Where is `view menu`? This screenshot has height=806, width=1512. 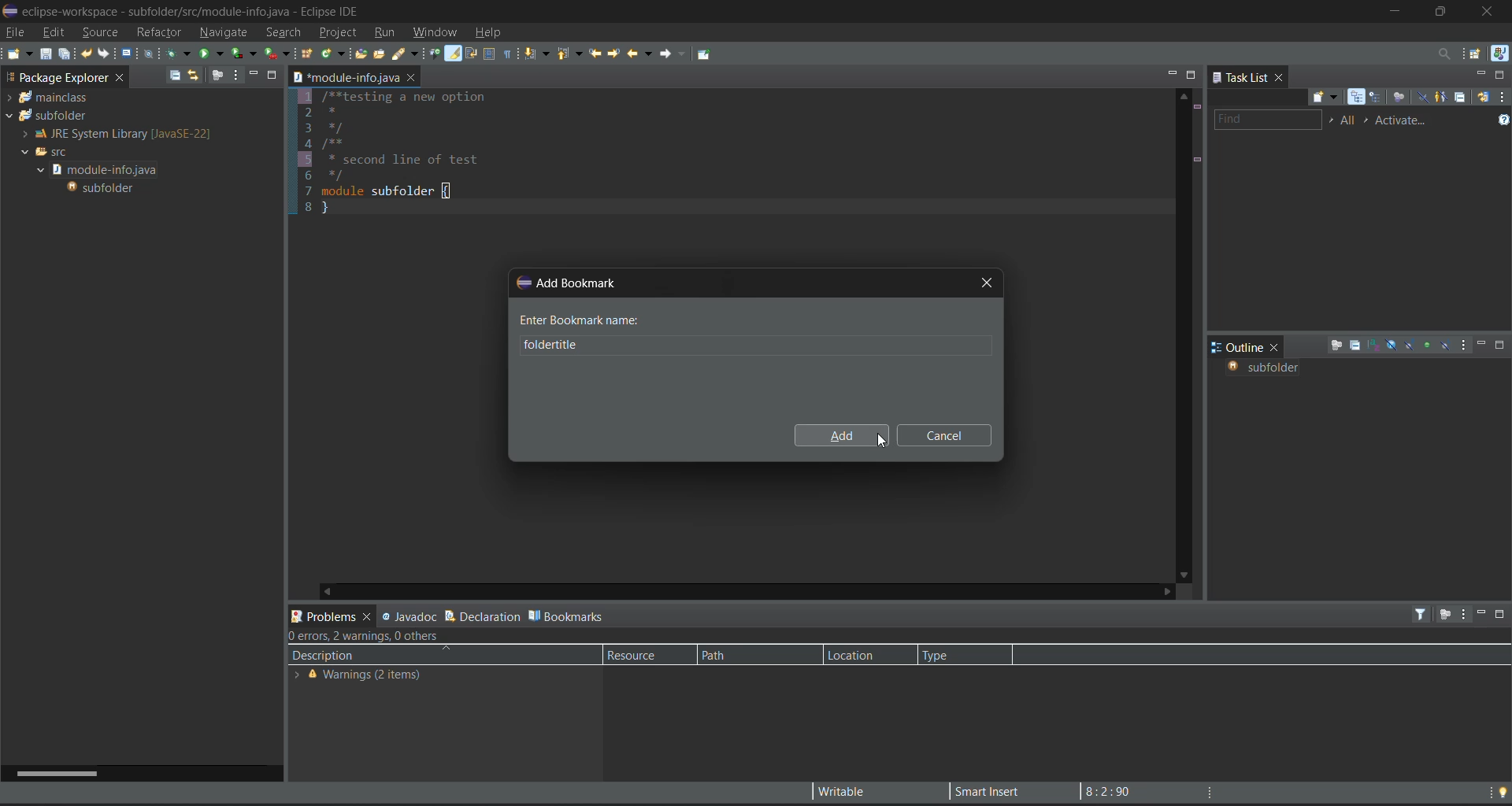 view menu is located at coordinates (1463, 615).